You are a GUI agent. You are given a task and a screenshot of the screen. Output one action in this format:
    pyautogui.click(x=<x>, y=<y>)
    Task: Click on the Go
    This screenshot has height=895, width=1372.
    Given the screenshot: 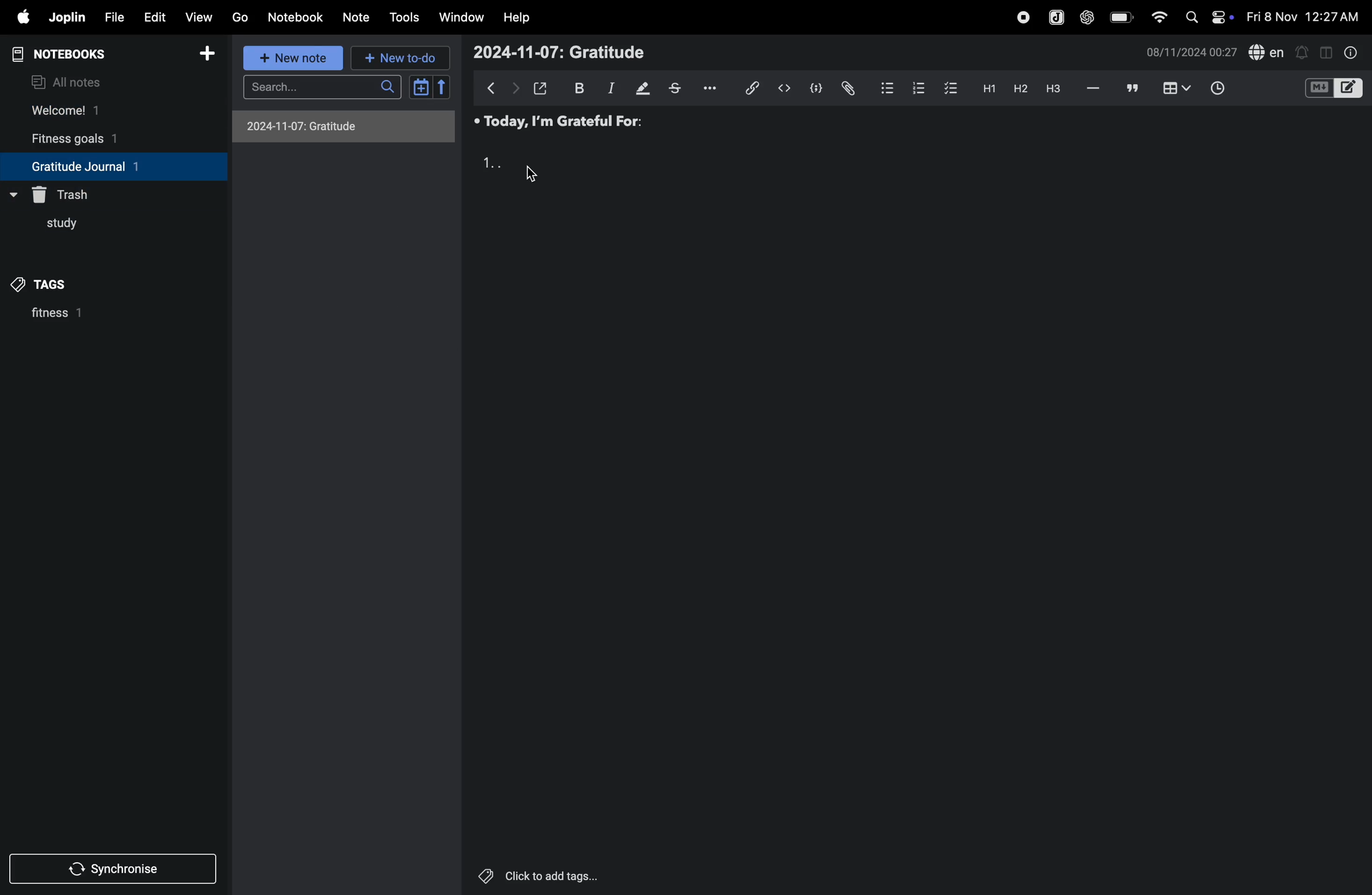 What is the action you would take?
    pyautogui.click(x=240, y=16)
    